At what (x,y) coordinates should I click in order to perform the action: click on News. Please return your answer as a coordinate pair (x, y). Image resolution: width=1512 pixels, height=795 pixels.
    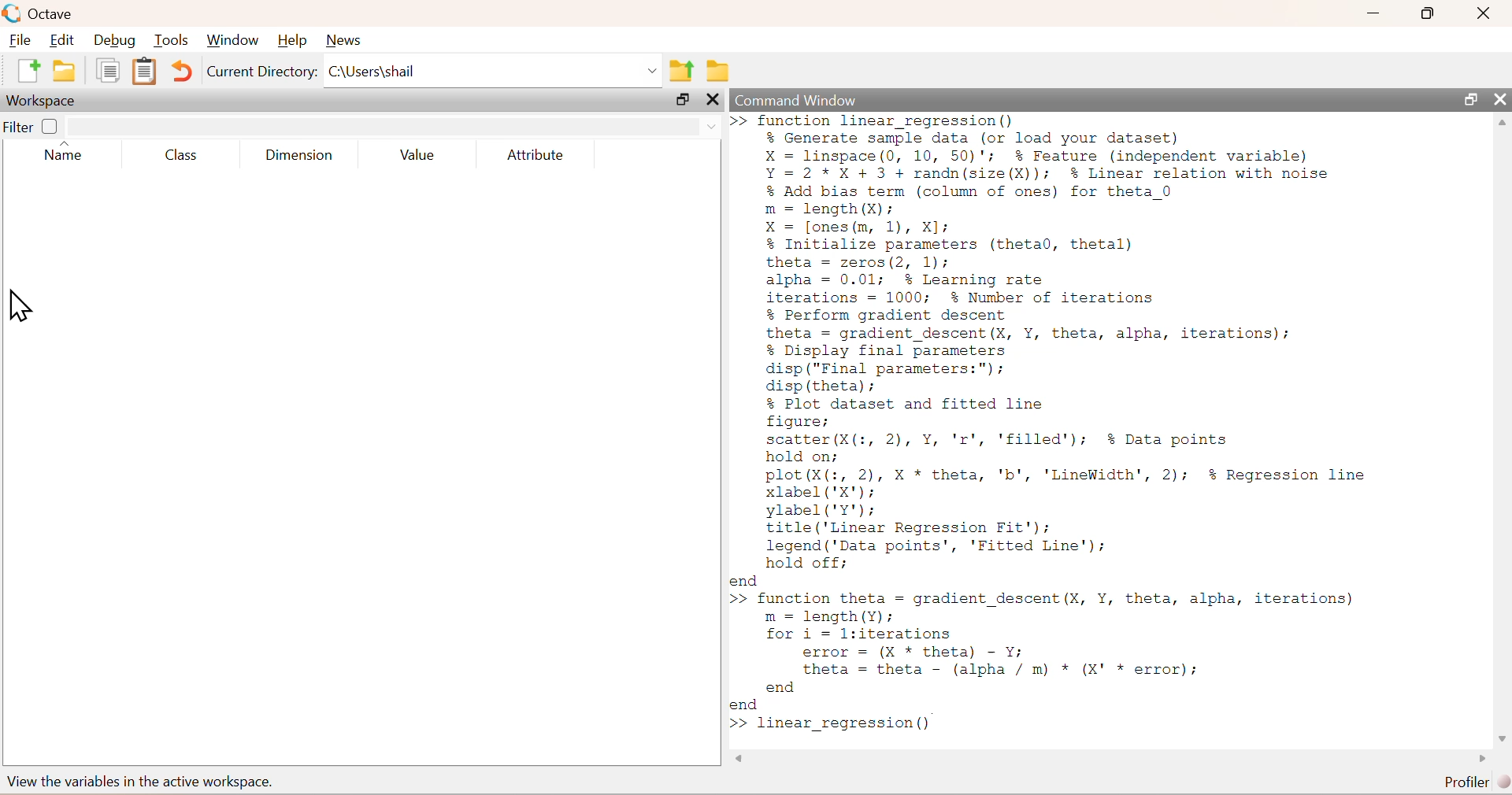
    Looking at the image, I should click on (342, 41).